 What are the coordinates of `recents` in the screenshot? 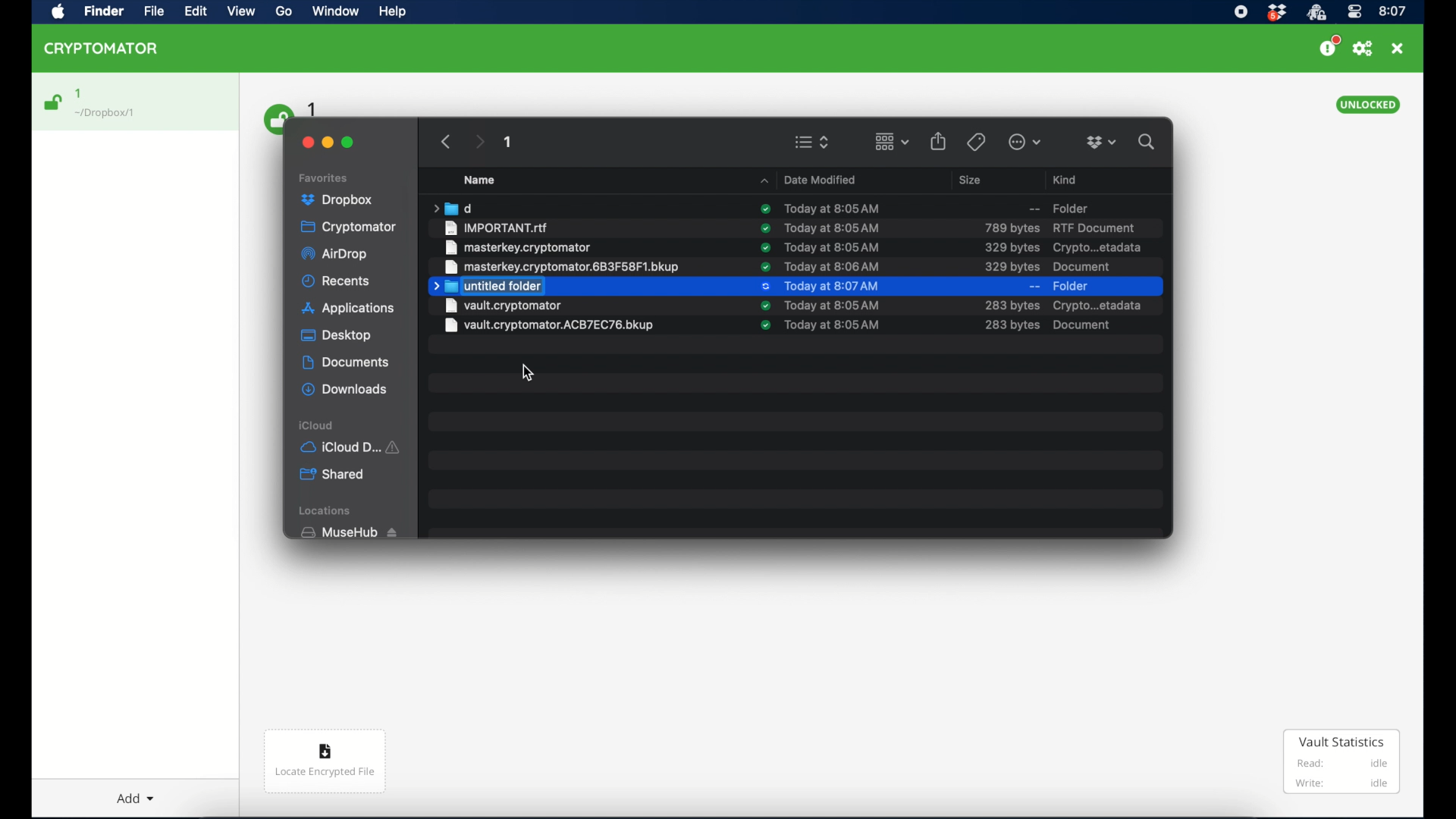 It's located at (337, 281).